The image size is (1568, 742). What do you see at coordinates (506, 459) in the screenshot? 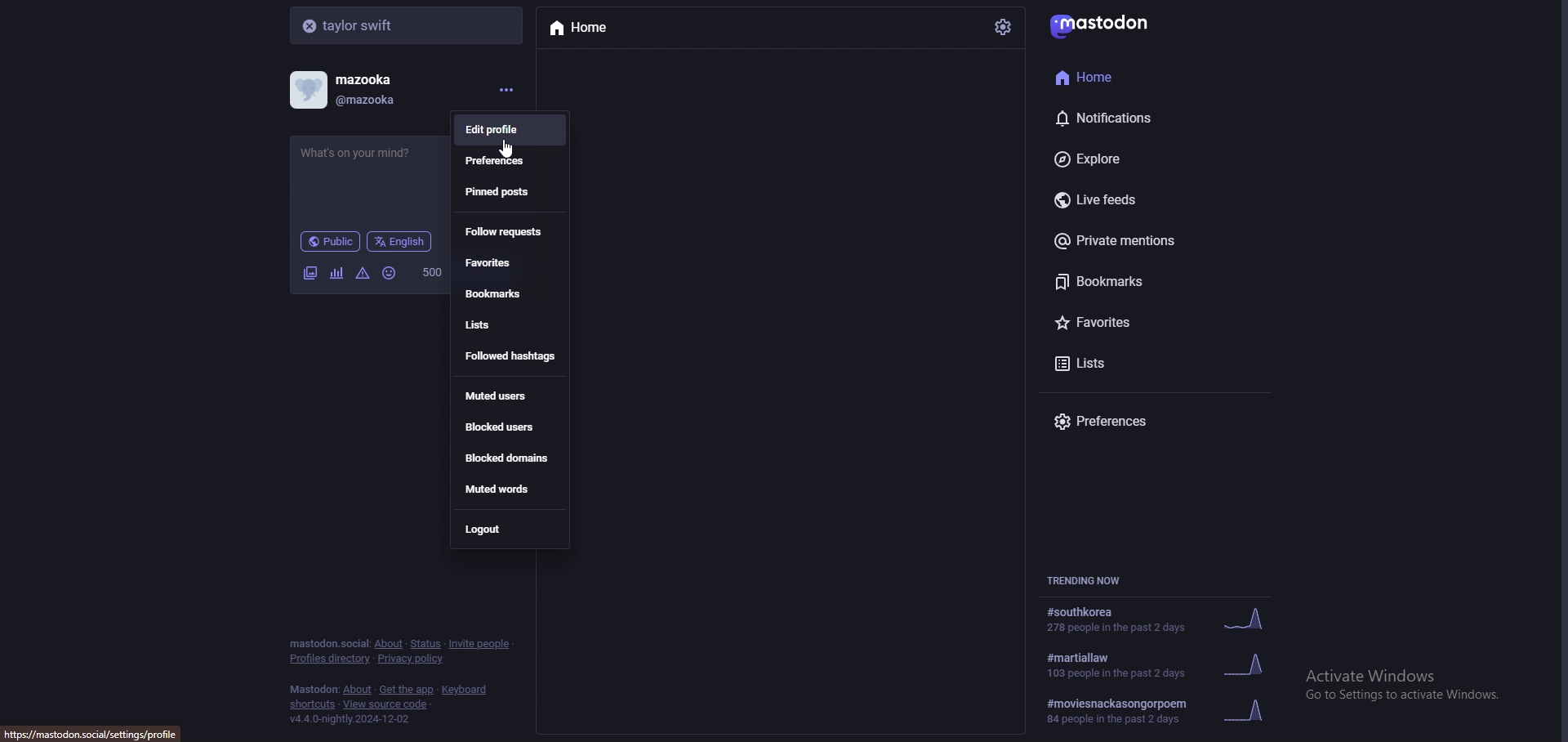
I see `blocked domains` at bounding box center [506, 459].